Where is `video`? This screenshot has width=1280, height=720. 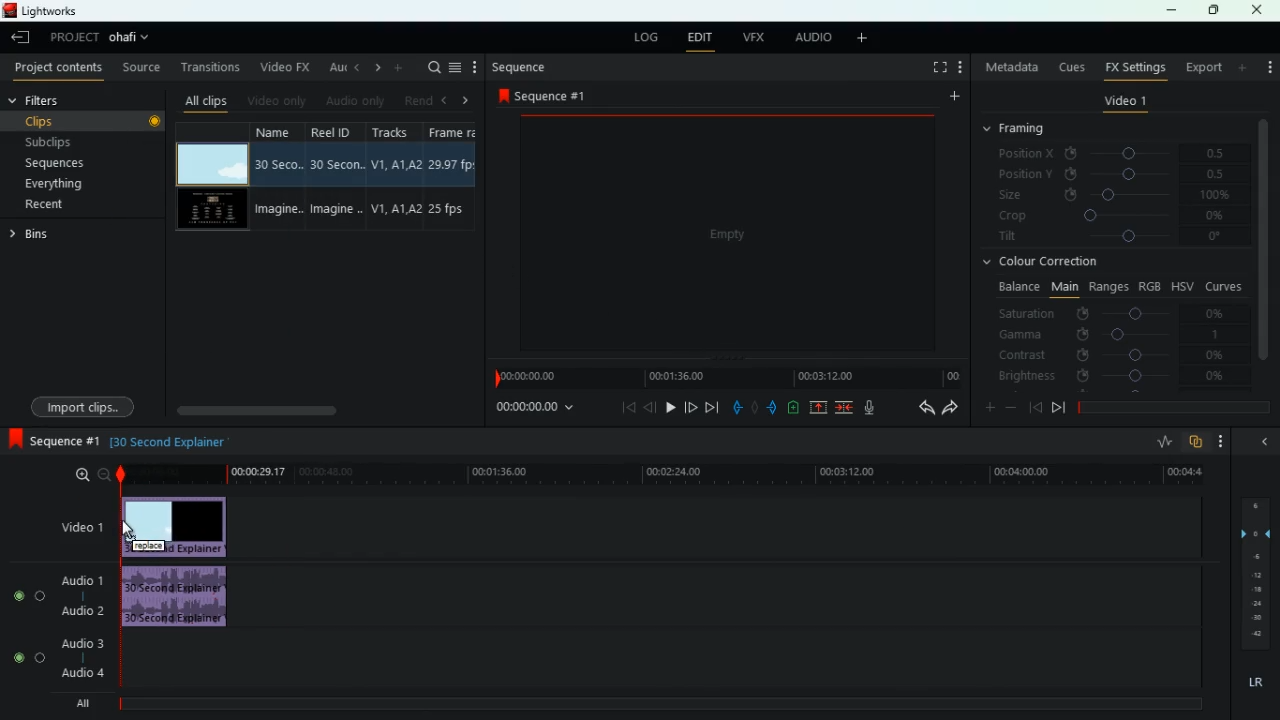
video is located at coordinates (211, 164).